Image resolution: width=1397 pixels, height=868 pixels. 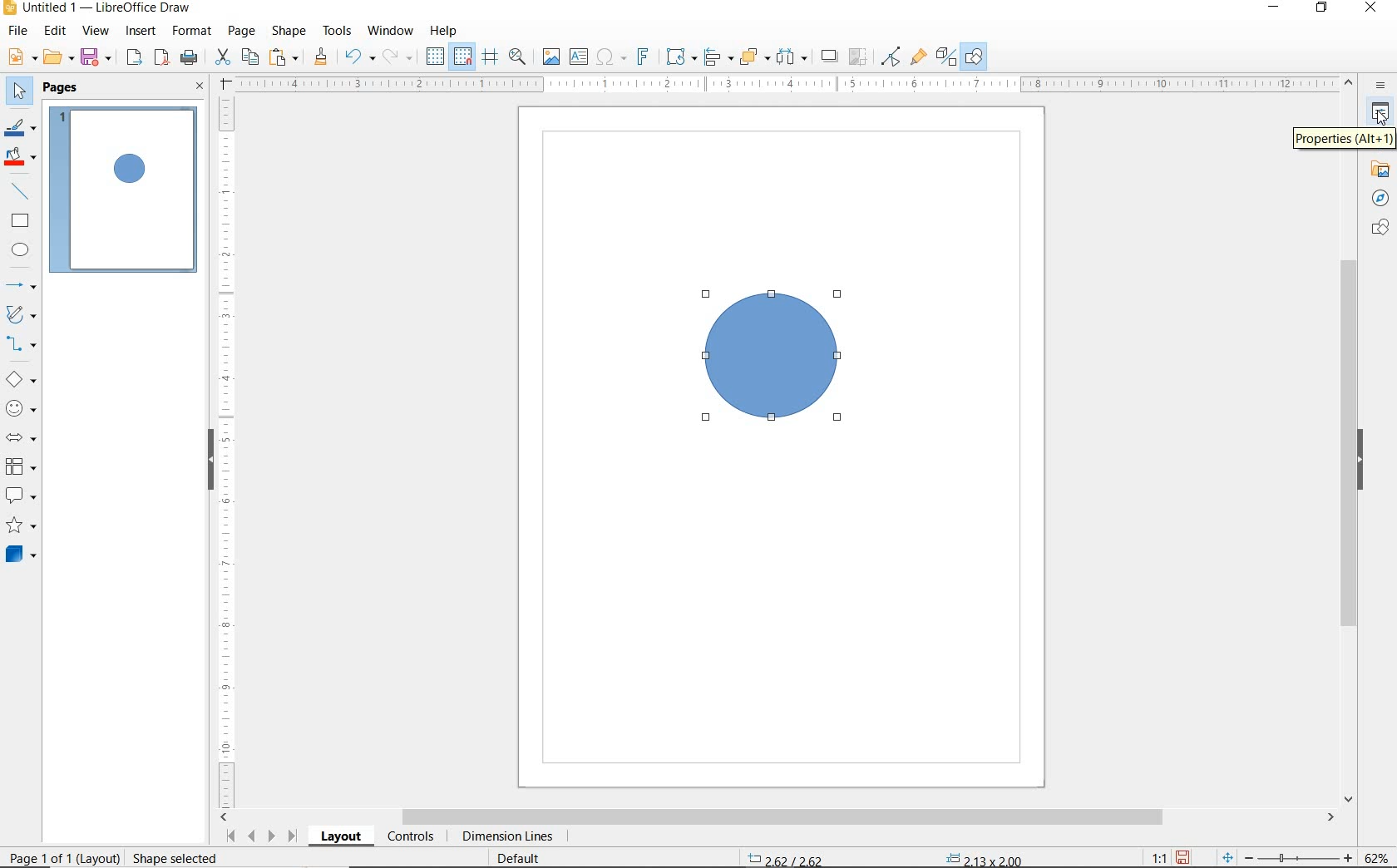 I want to click on INSERT LINE, so click(x=24, y=190).